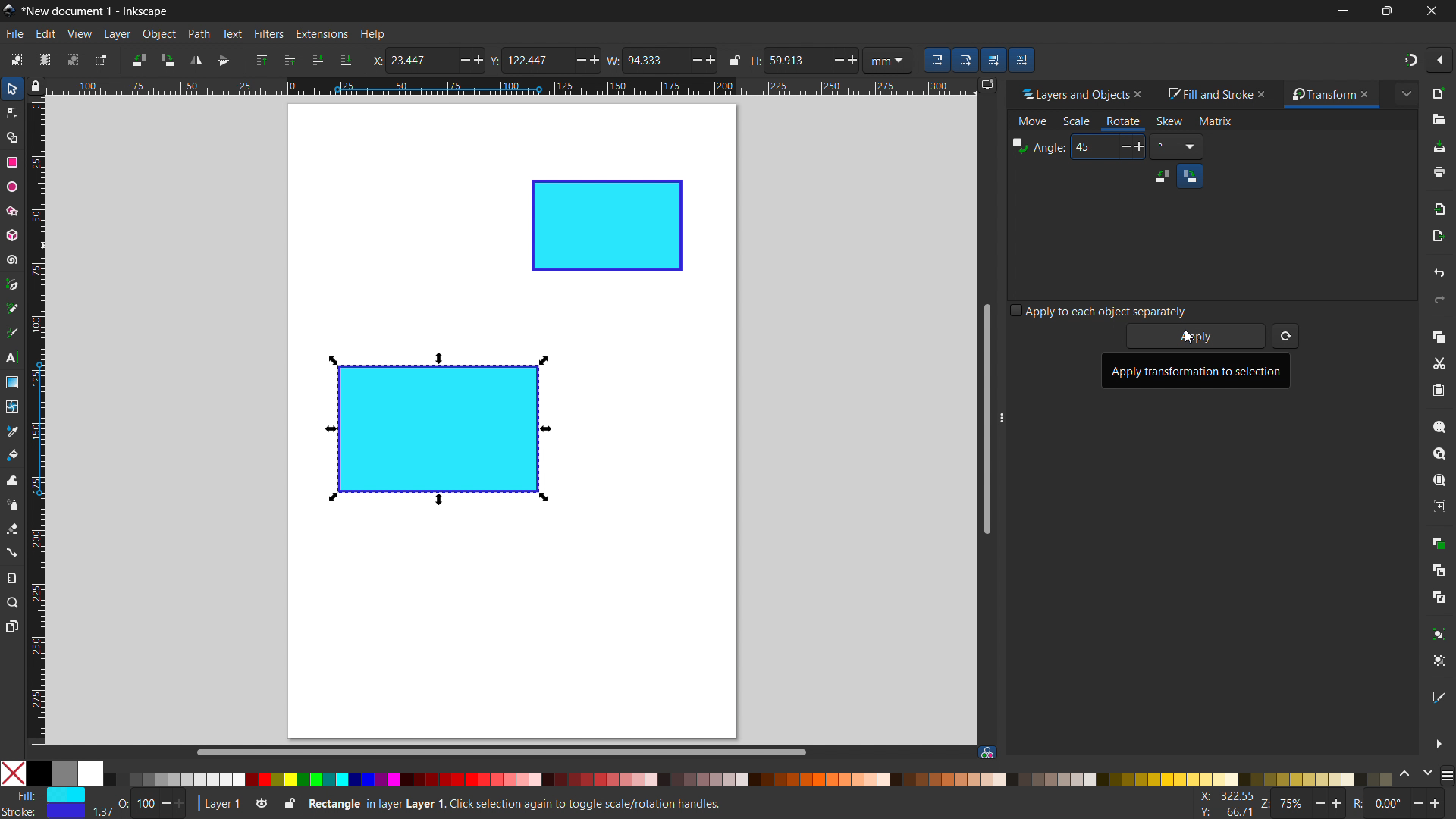  I want to click on Decrease/ minus, so click(833, 59).